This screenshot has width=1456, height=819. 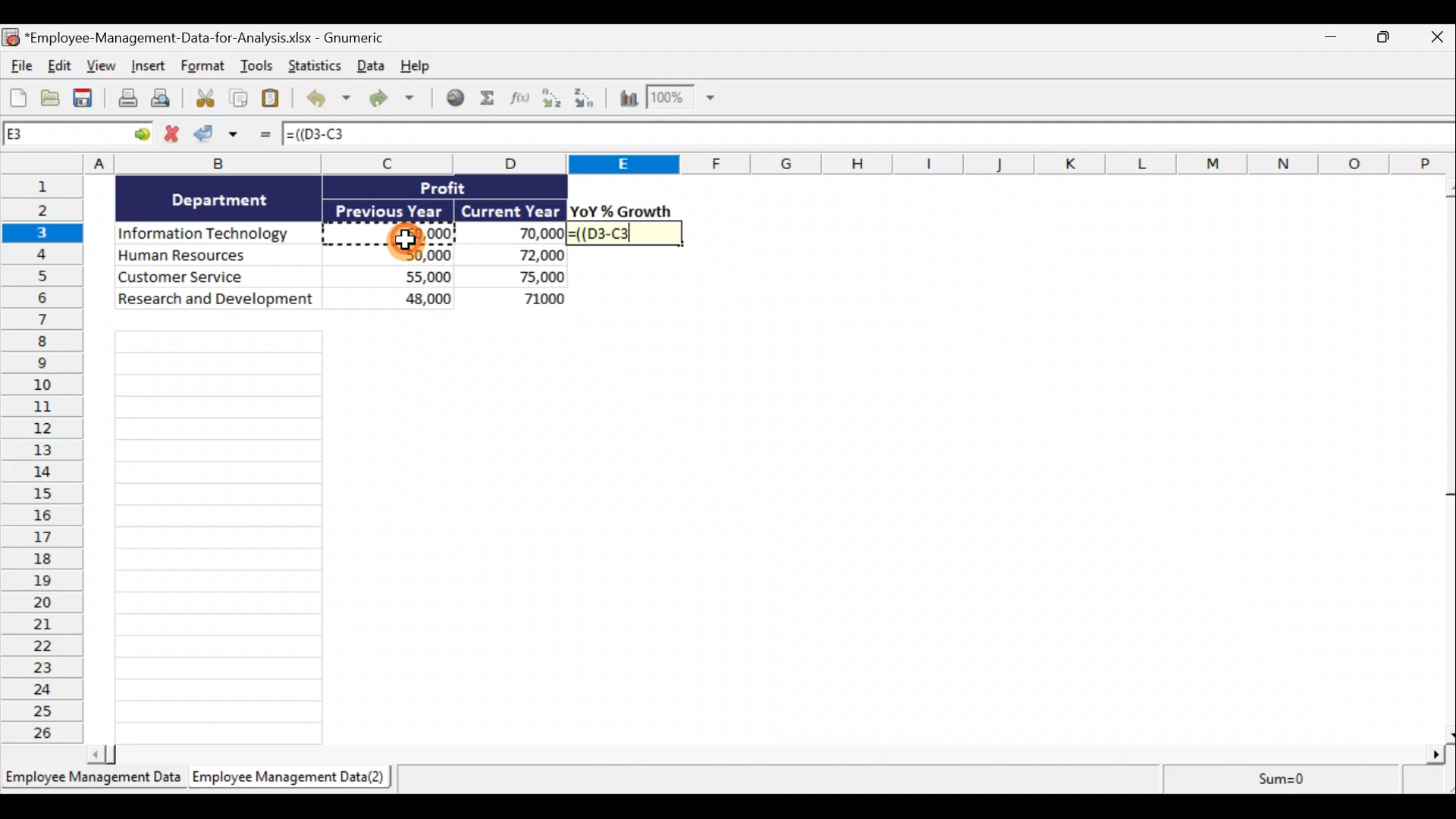 What do you see at coordinates (204, 67) in the screenshot?
I see `Format` at bounding box center [204, 67].